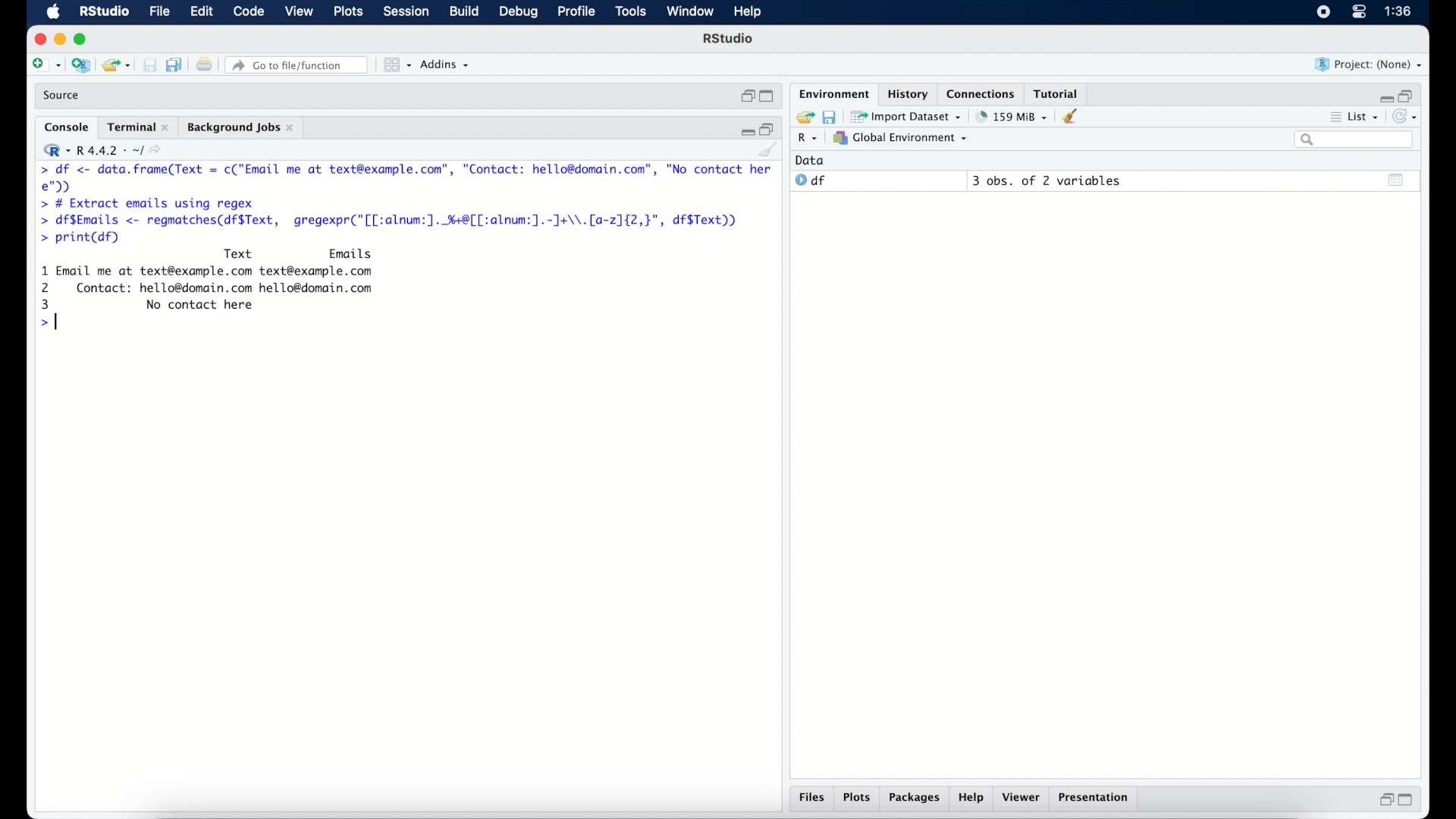 The width and height of the screenshot is (1456, 819). Describe the element at coordinates (1396, 181) in the screenshot. I see `show output window` at that location.